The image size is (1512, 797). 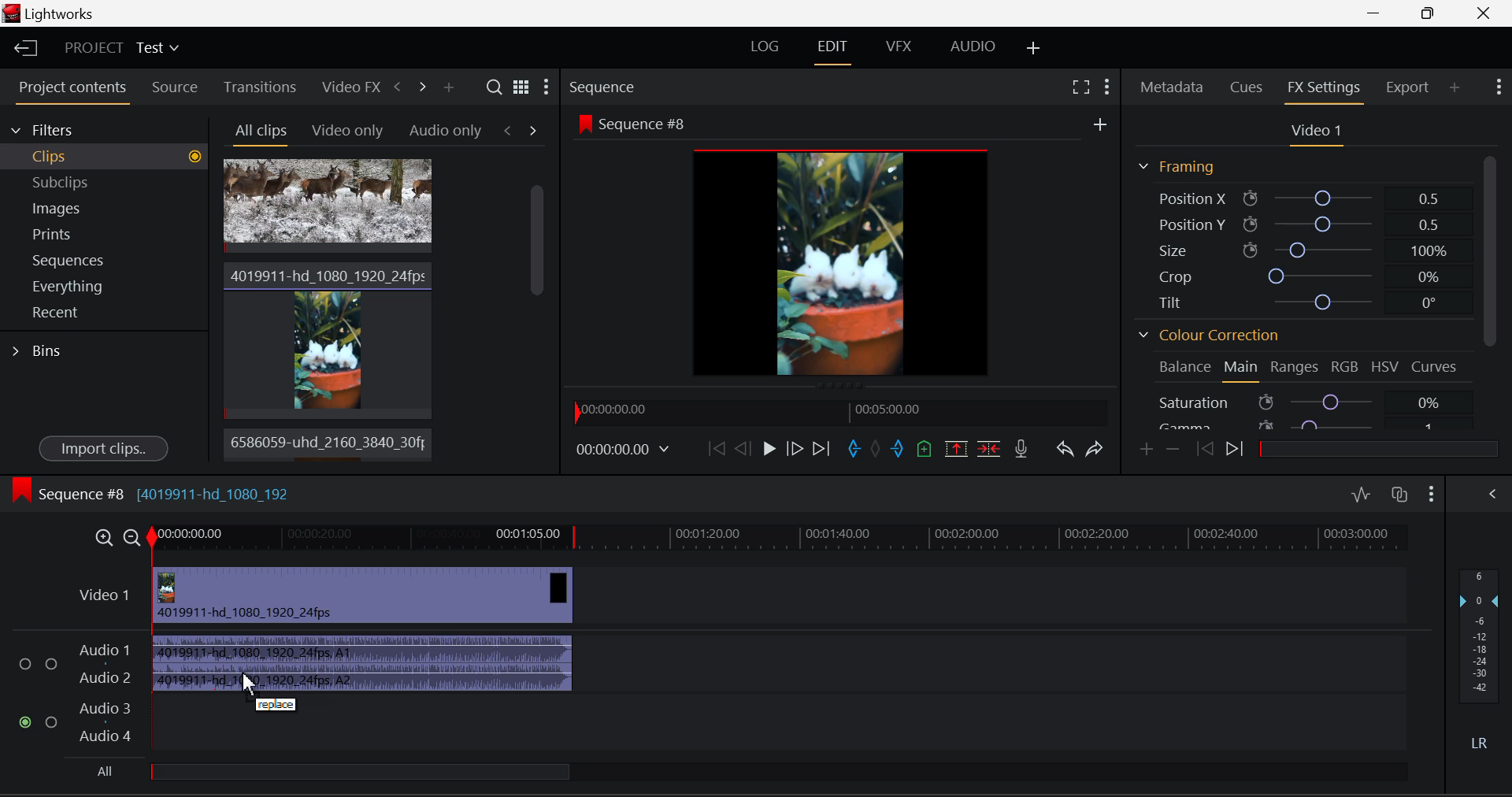 I want to click on Project contents open, so click(x=70, y=92).